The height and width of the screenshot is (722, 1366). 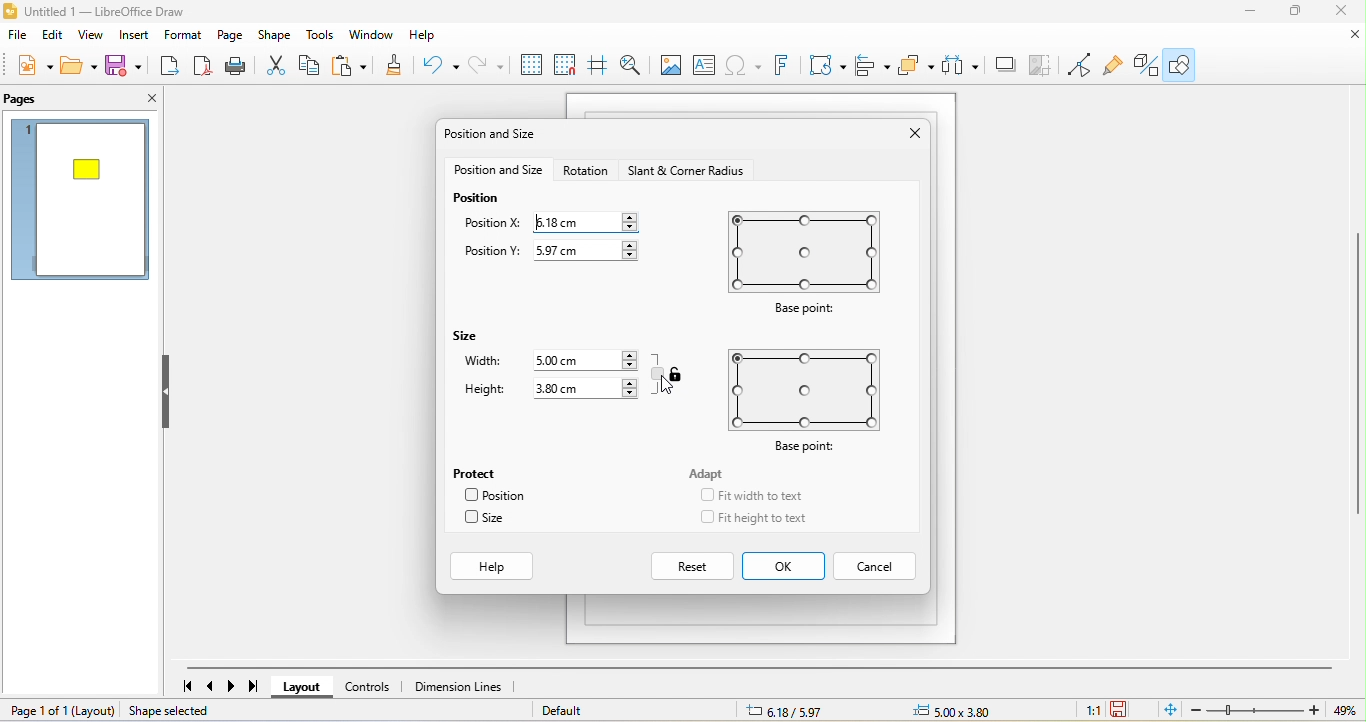 What do you see at coordinates (502, 173) in the screenshot?
I see `position and size` at bounding box center [502, 173].